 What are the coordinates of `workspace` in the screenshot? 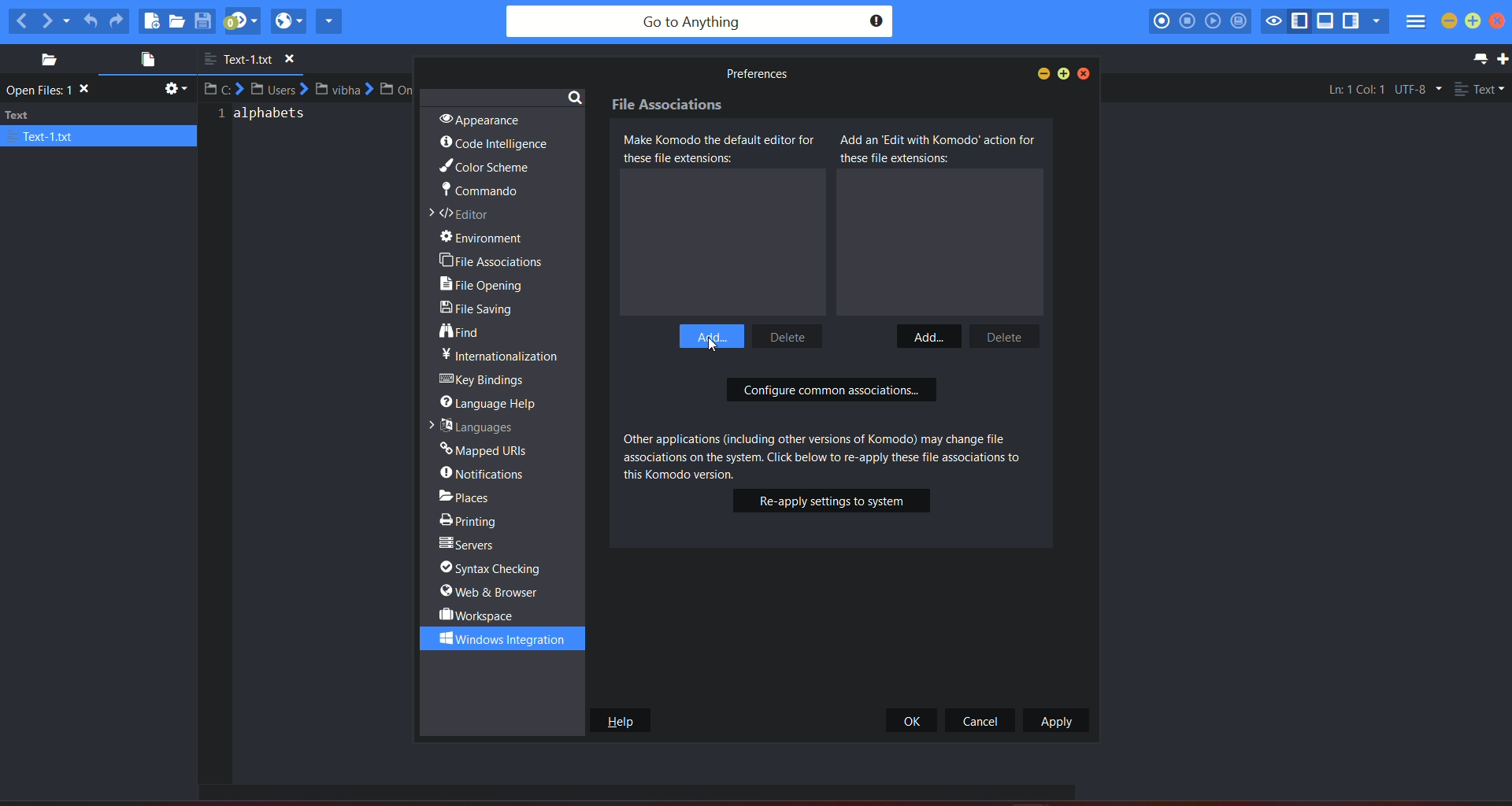 It's located at (479, 615).